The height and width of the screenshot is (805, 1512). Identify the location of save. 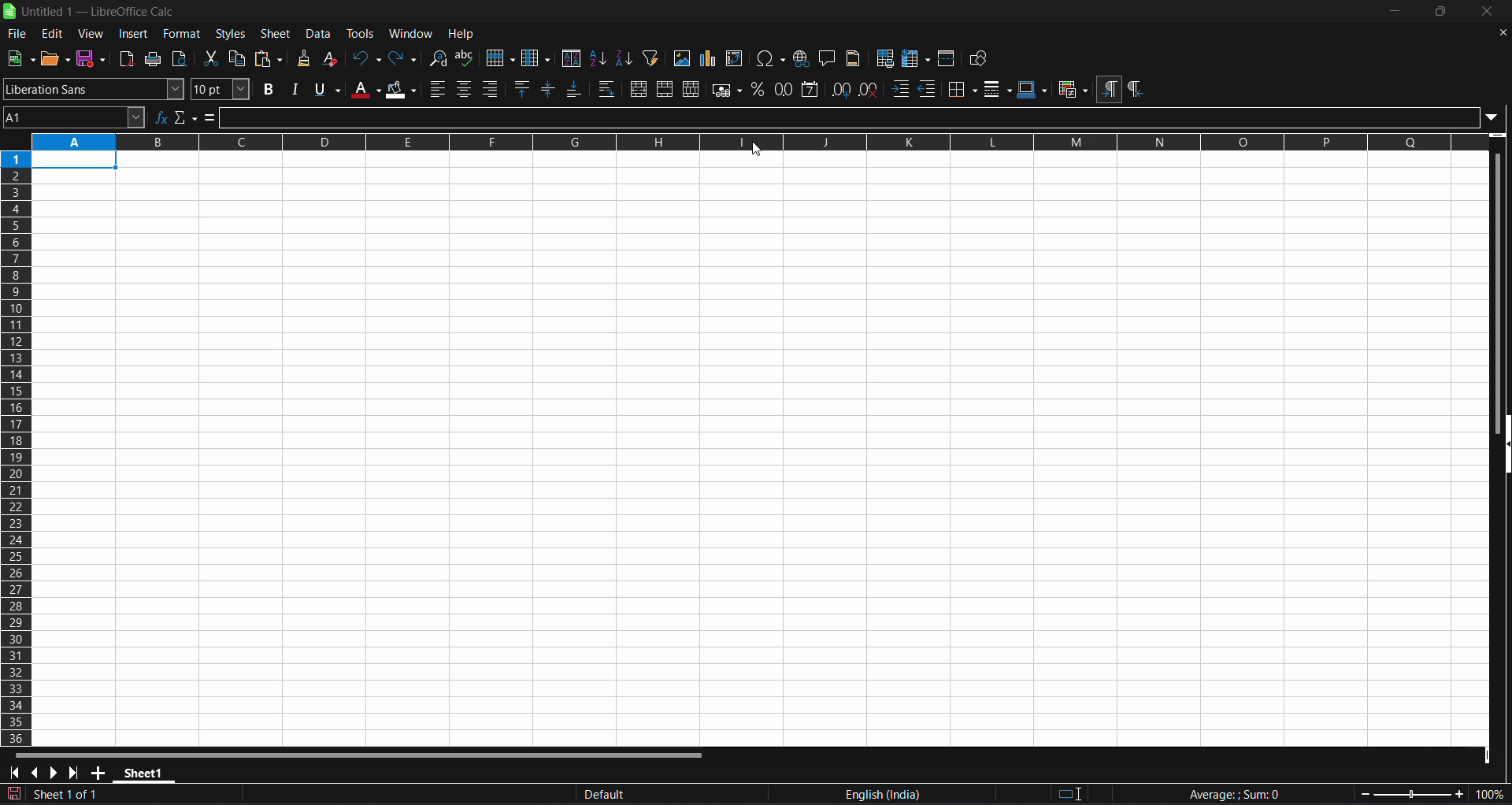
(94, 59).